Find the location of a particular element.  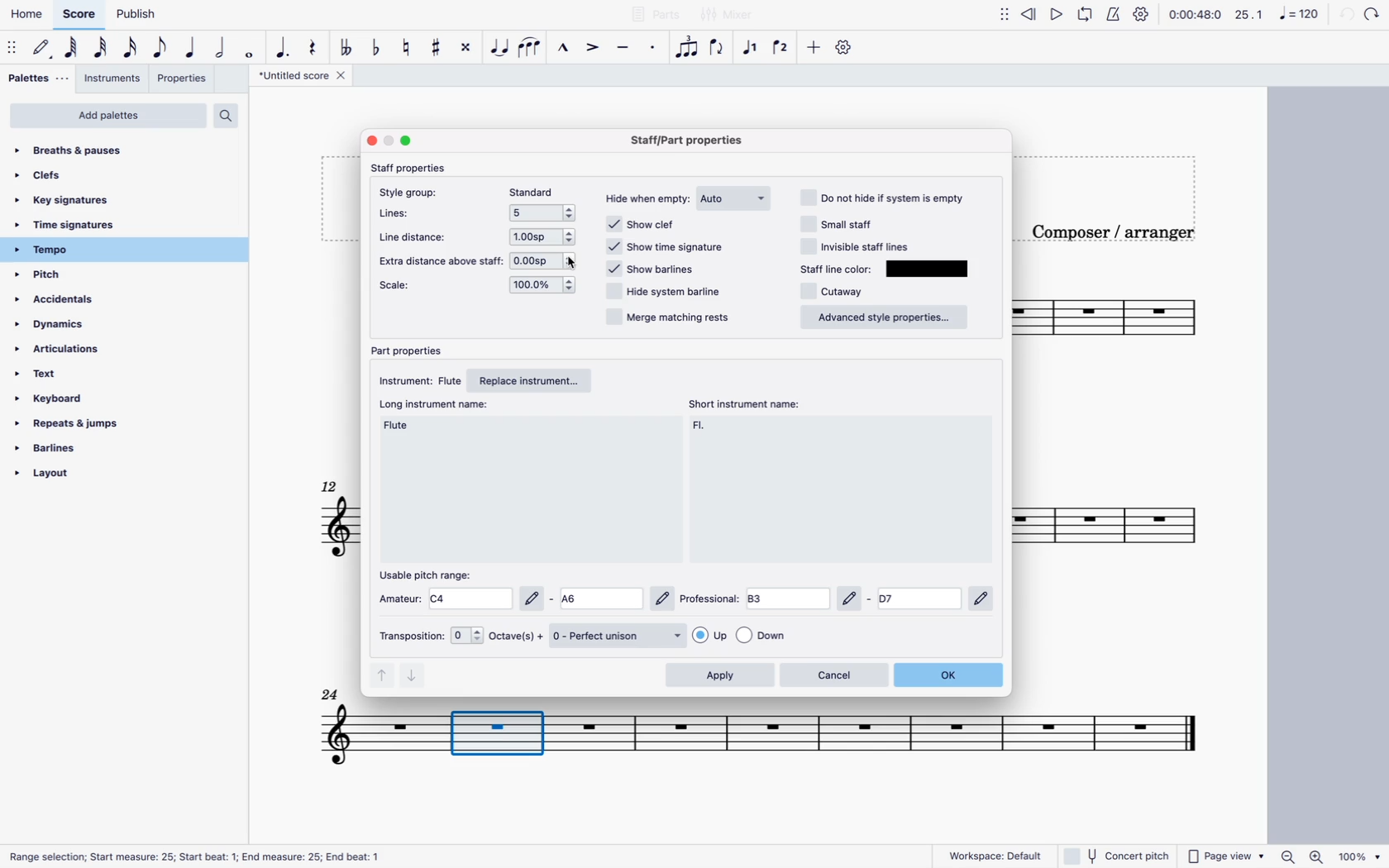

rewind is located at coordinates (1030, 13).